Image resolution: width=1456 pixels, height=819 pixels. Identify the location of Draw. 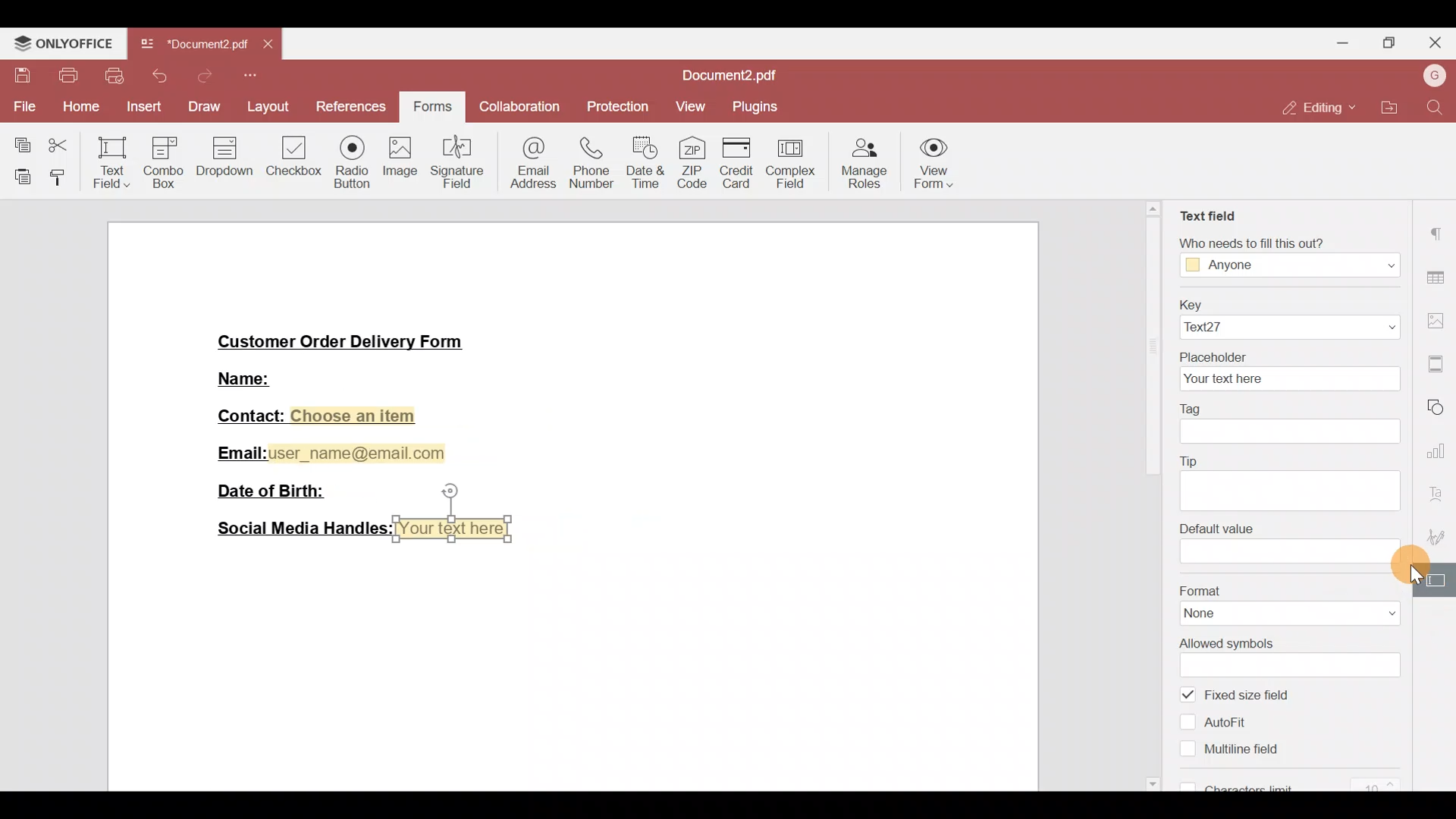
(204, 105).